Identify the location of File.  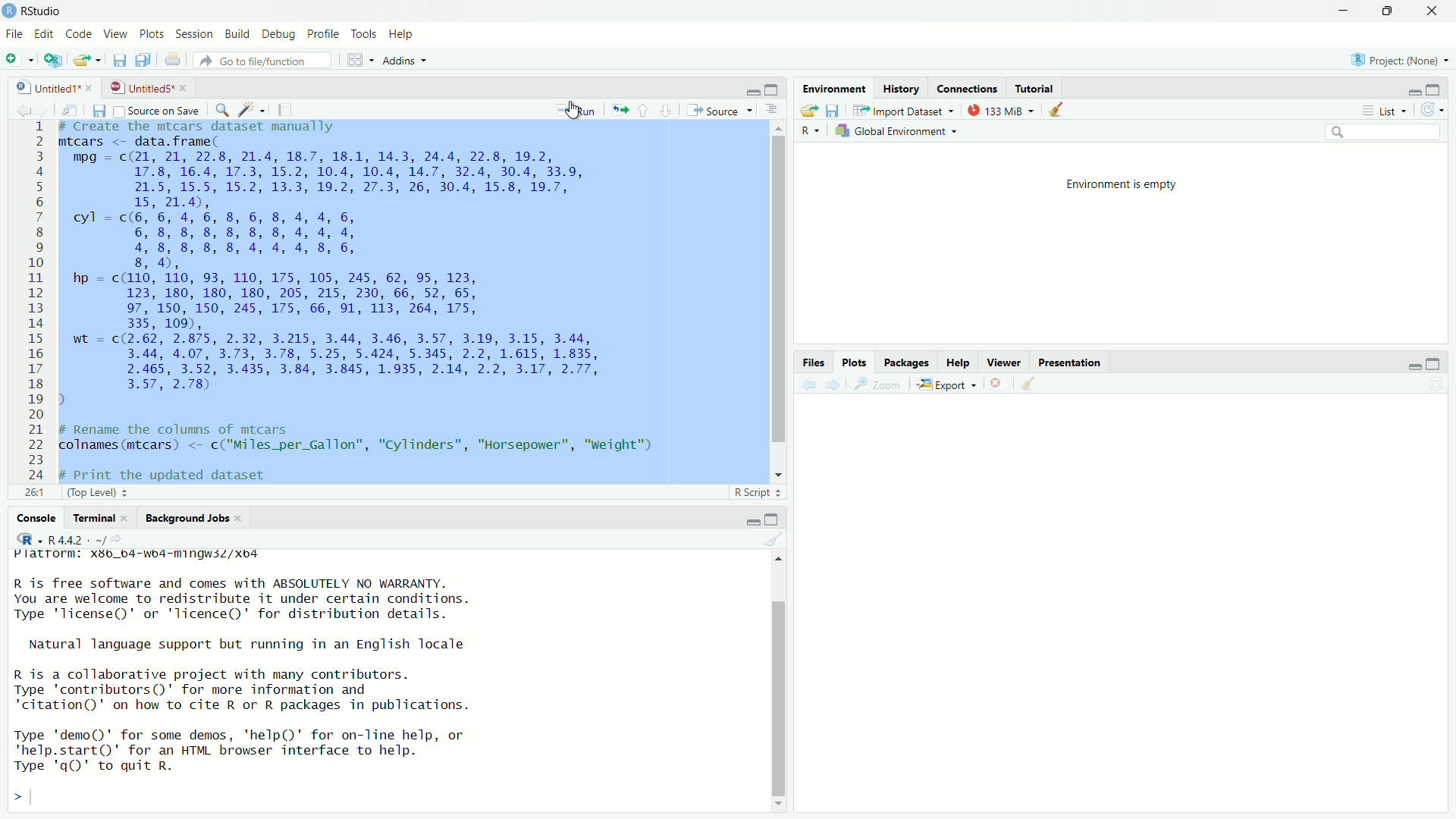
(14, 33).